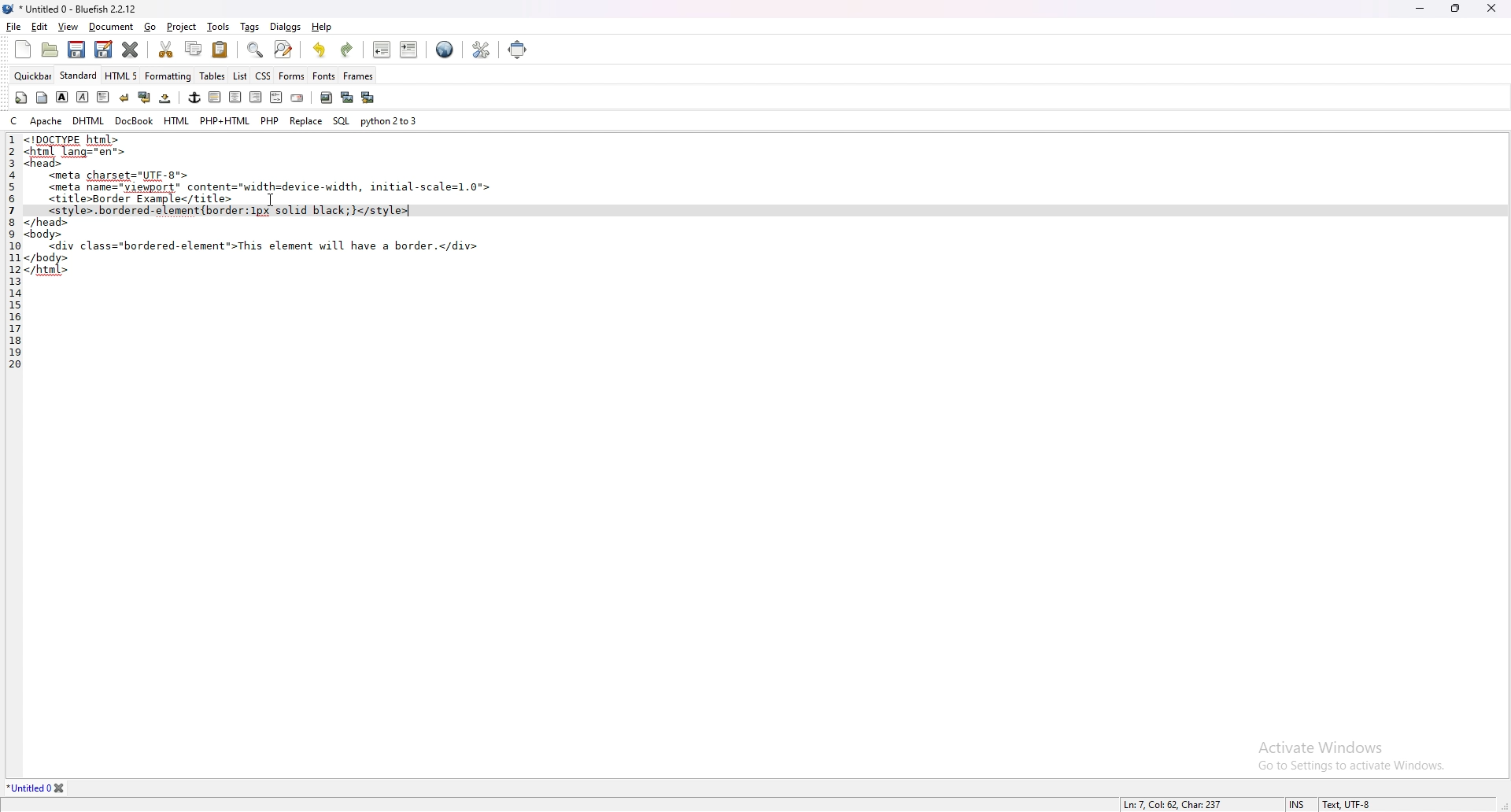 This screenshot has height=812, width=1511. What do you see at coordinates (1491, 7) in the screenshot?
I see `close` at bounding box center [1491, 7].